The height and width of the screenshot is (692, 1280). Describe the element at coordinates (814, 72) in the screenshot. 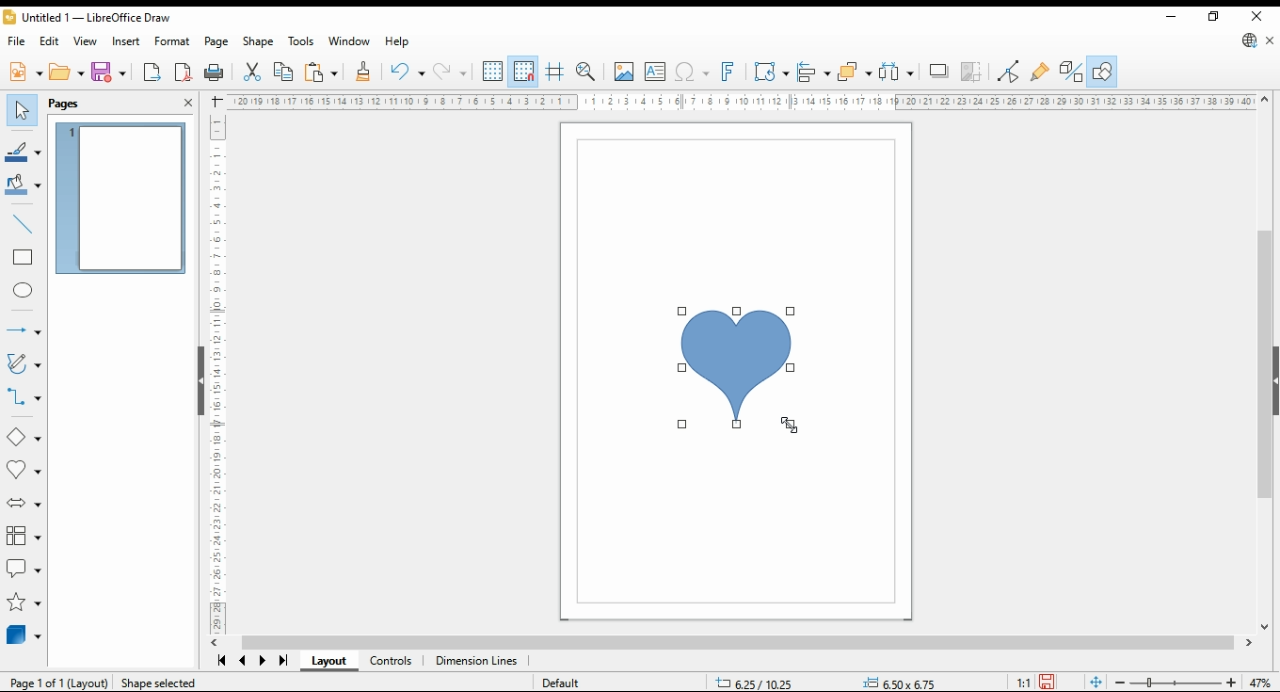

I see `align objects` at that location.